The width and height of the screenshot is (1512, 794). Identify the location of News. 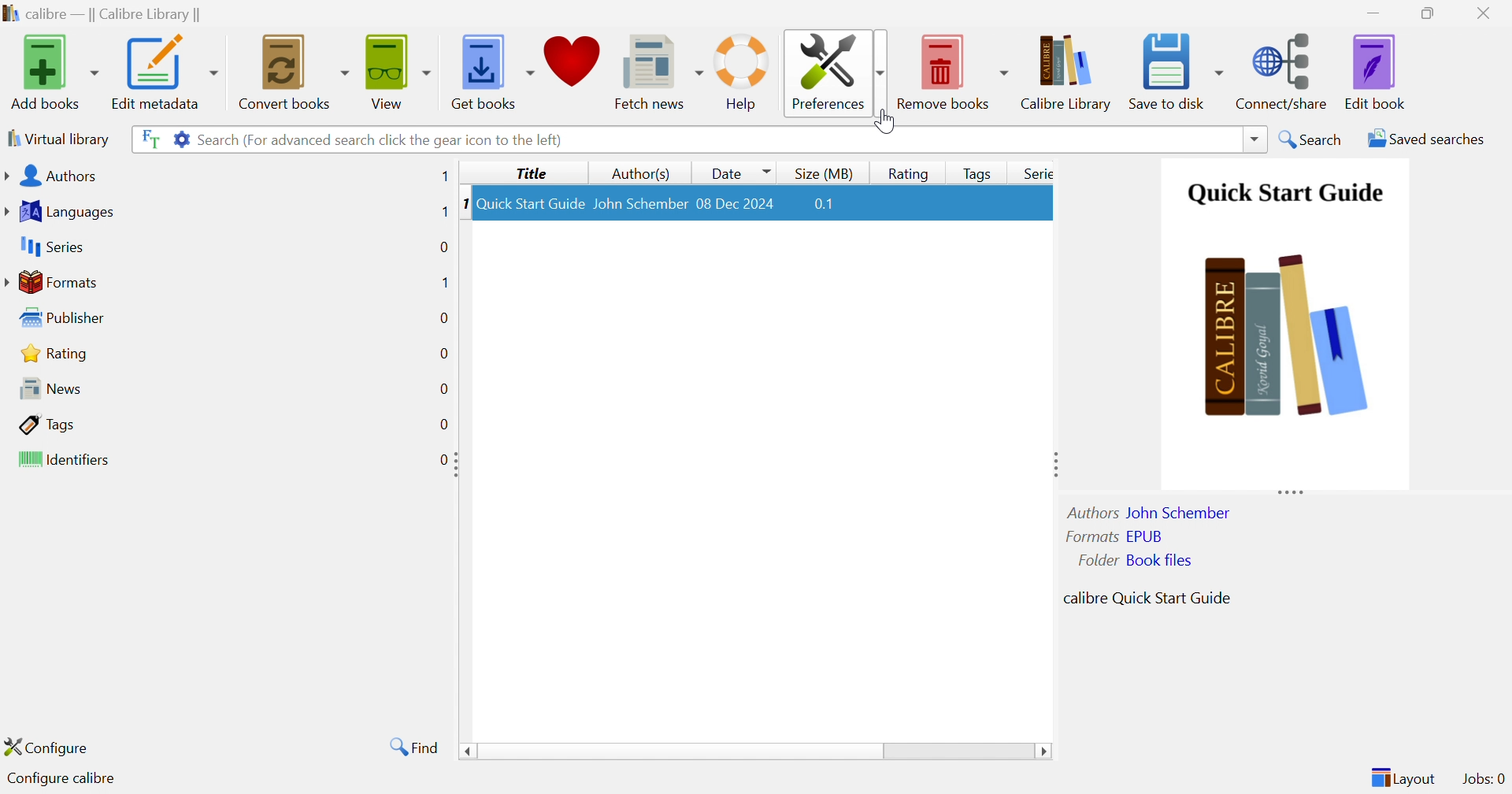
(46, 388).